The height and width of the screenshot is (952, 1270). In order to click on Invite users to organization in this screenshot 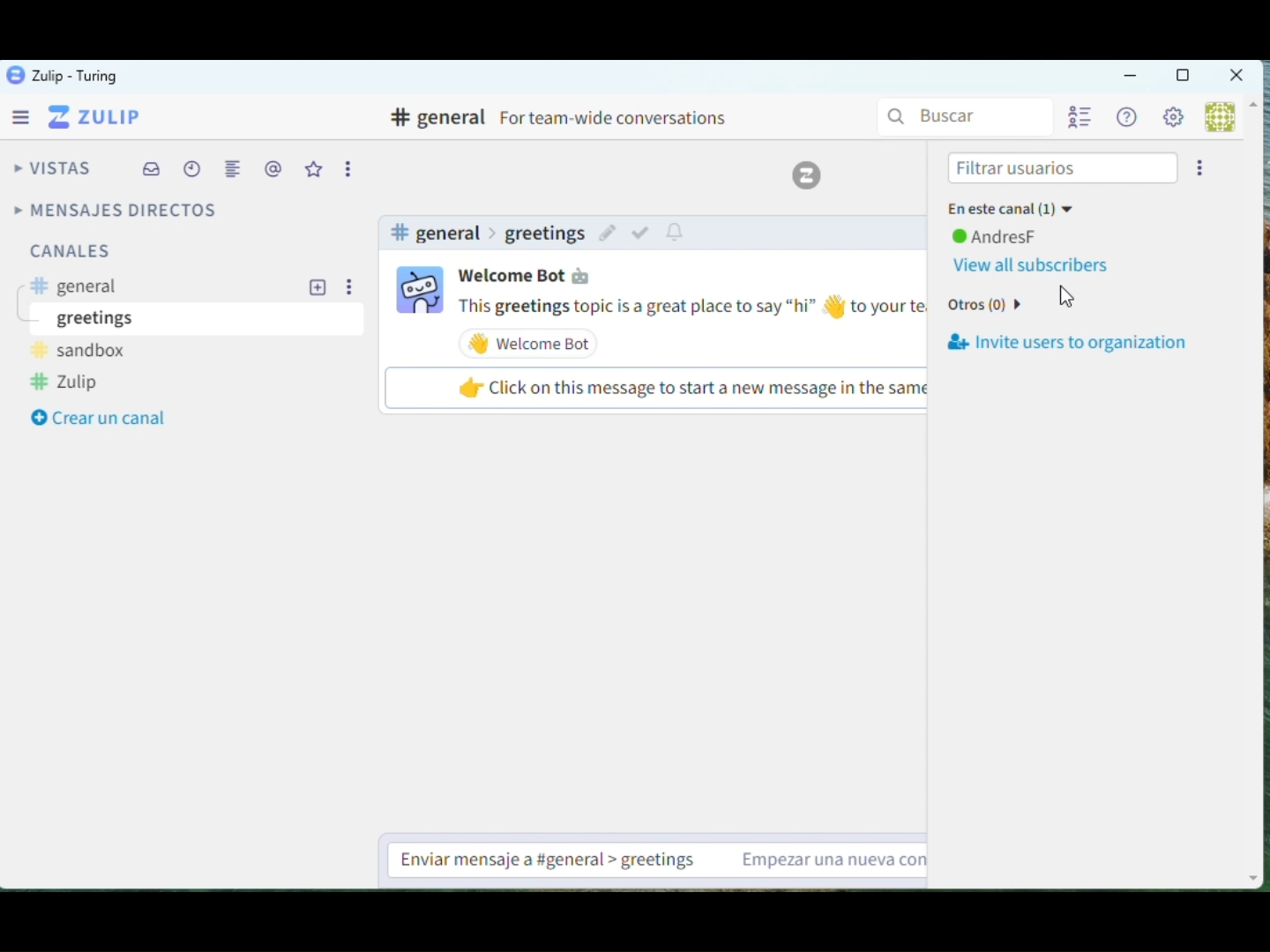, I will do `click(1071, 344)`.